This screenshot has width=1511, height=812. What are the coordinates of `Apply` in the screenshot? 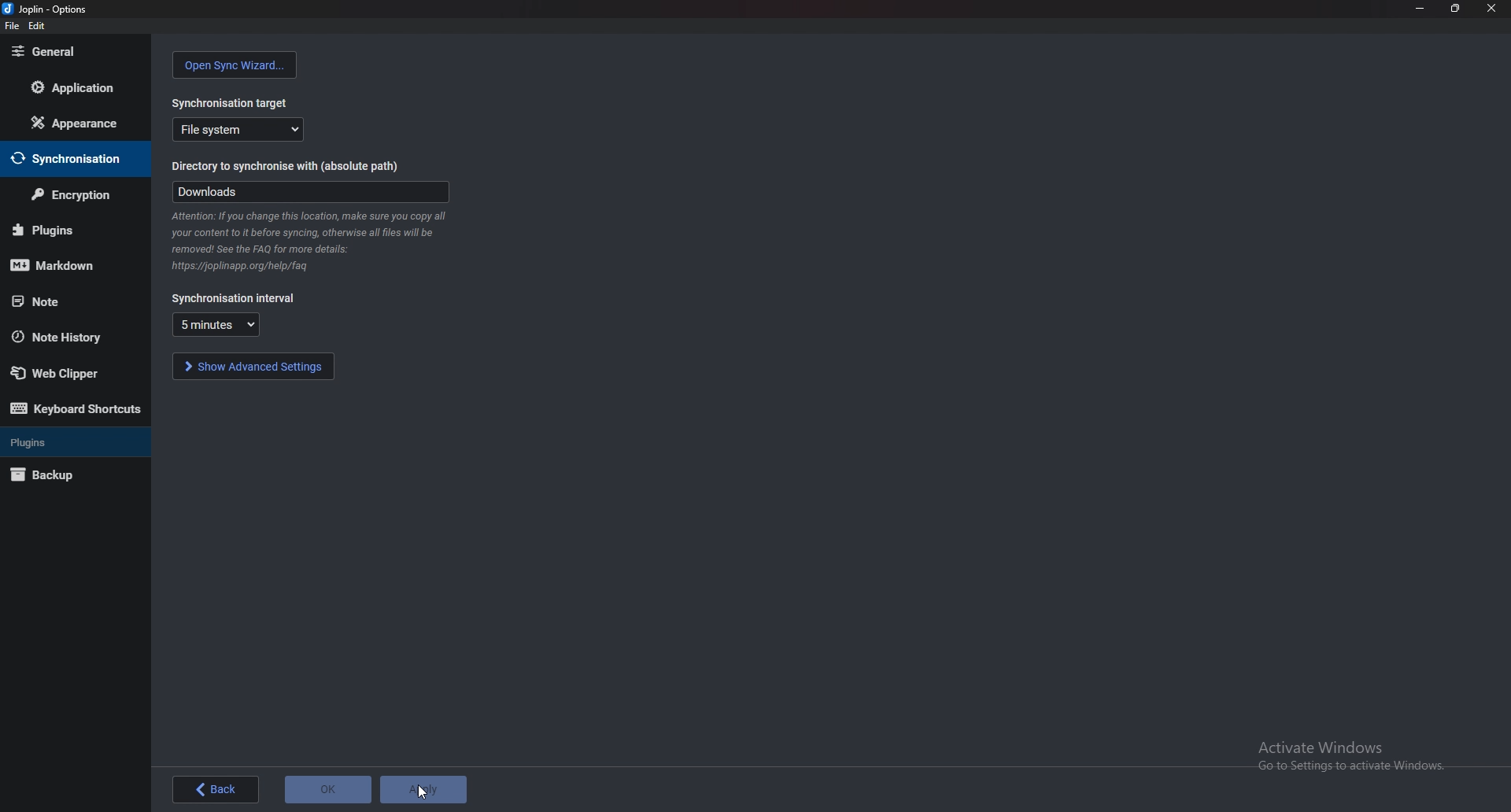 It's located at (424, 788).